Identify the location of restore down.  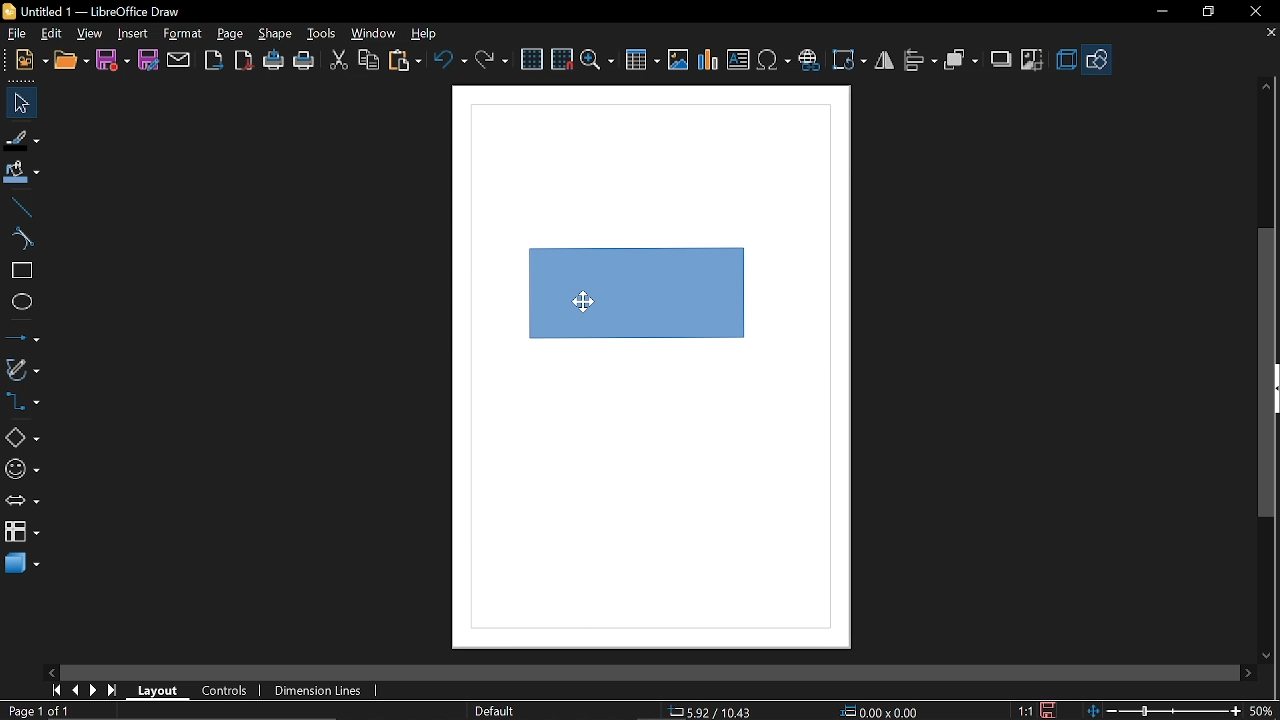
(1208, 12).